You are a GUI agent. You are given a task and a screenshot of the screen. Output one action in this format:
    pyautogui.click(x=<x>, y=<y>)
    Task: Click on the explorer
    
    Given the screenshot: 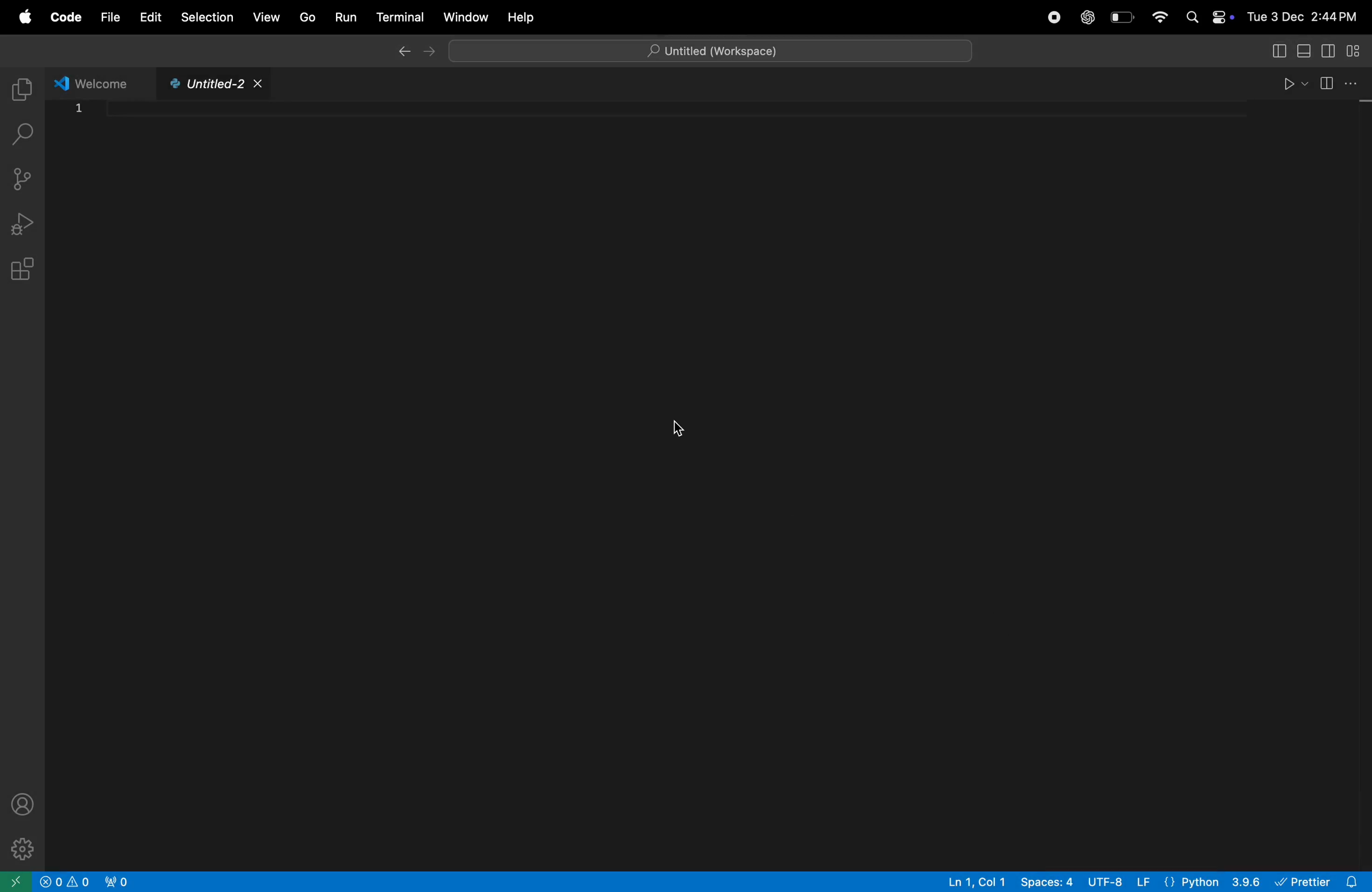 What is the action you would take?
    pyautogui.click(x=24, y=86)
    